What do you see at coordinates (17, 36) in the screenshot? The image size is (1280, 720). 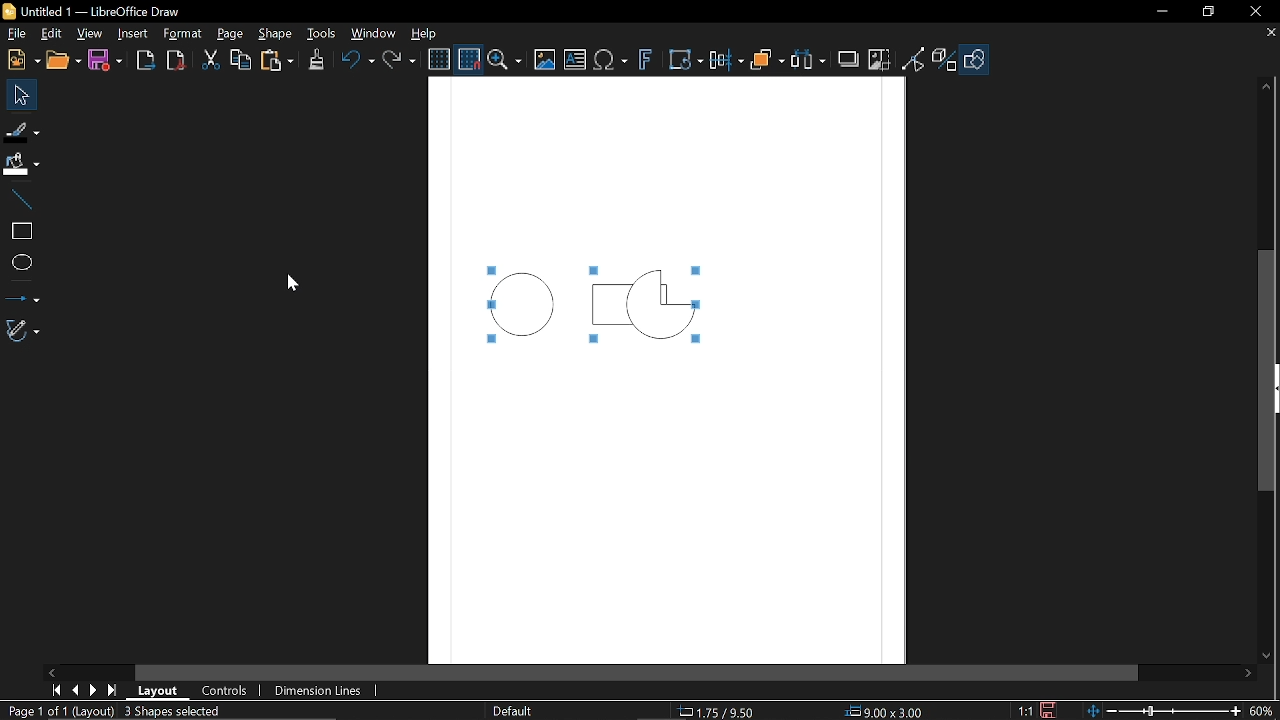 I see `File` at bounding box center [17, 36].